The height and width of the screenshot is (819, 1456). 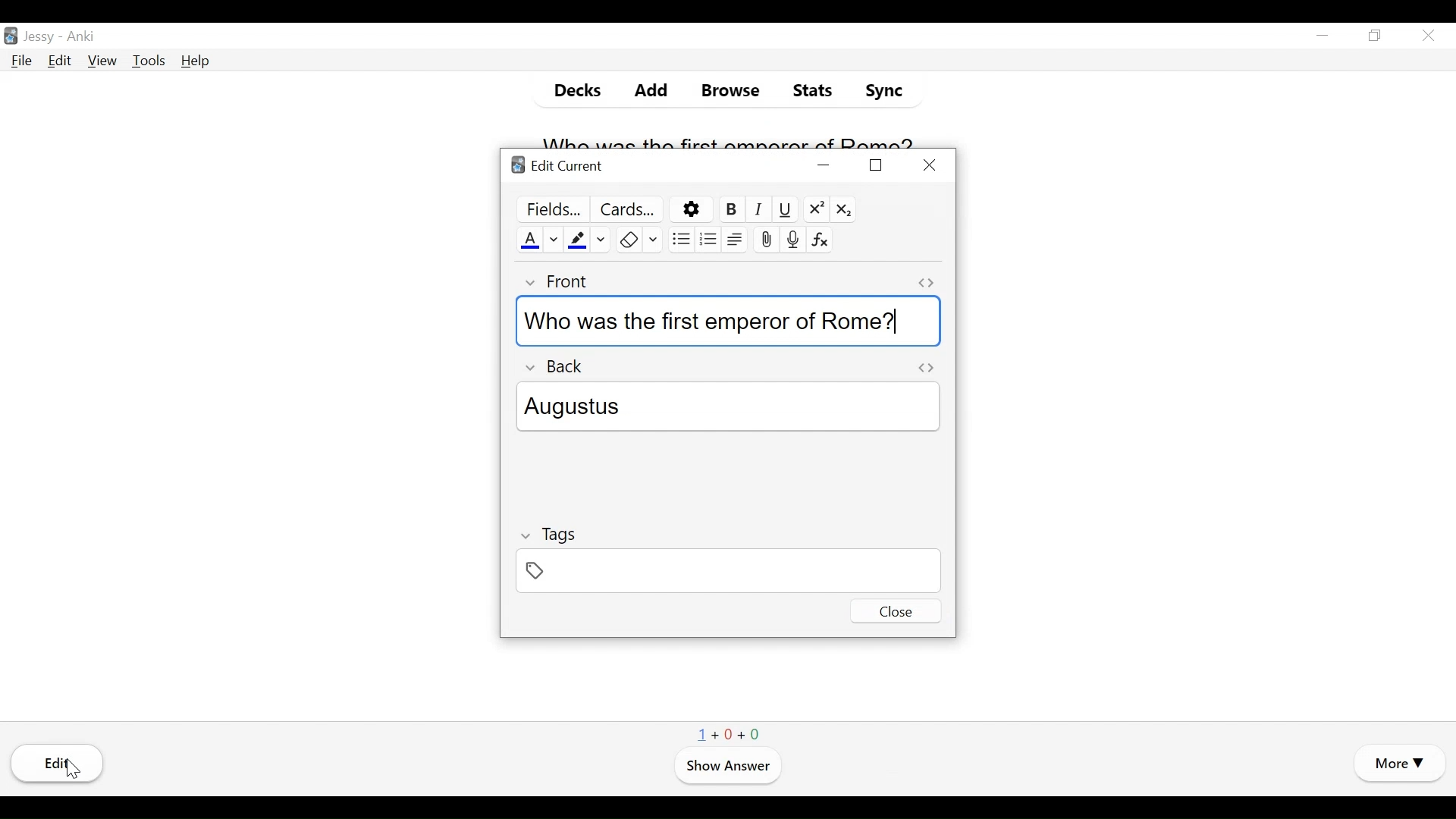 What do you see at coordinates (553, 533) in the screenshot?
I see `Tags` at bounding box center [553, 533].